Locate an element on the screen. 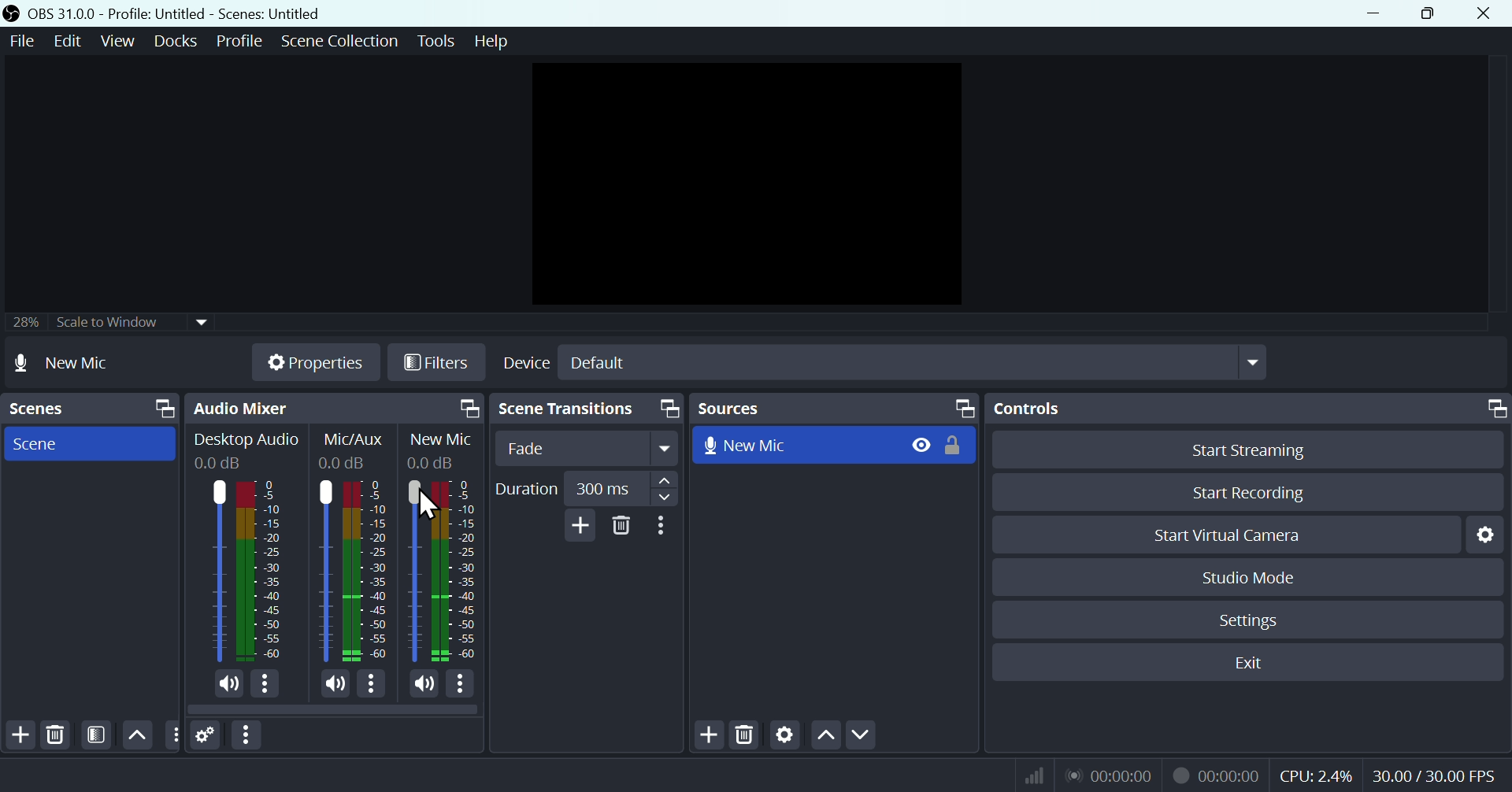 The height and width of the screenshot is (792, 1512). Audio mixer is located at coordinates (332, 409).